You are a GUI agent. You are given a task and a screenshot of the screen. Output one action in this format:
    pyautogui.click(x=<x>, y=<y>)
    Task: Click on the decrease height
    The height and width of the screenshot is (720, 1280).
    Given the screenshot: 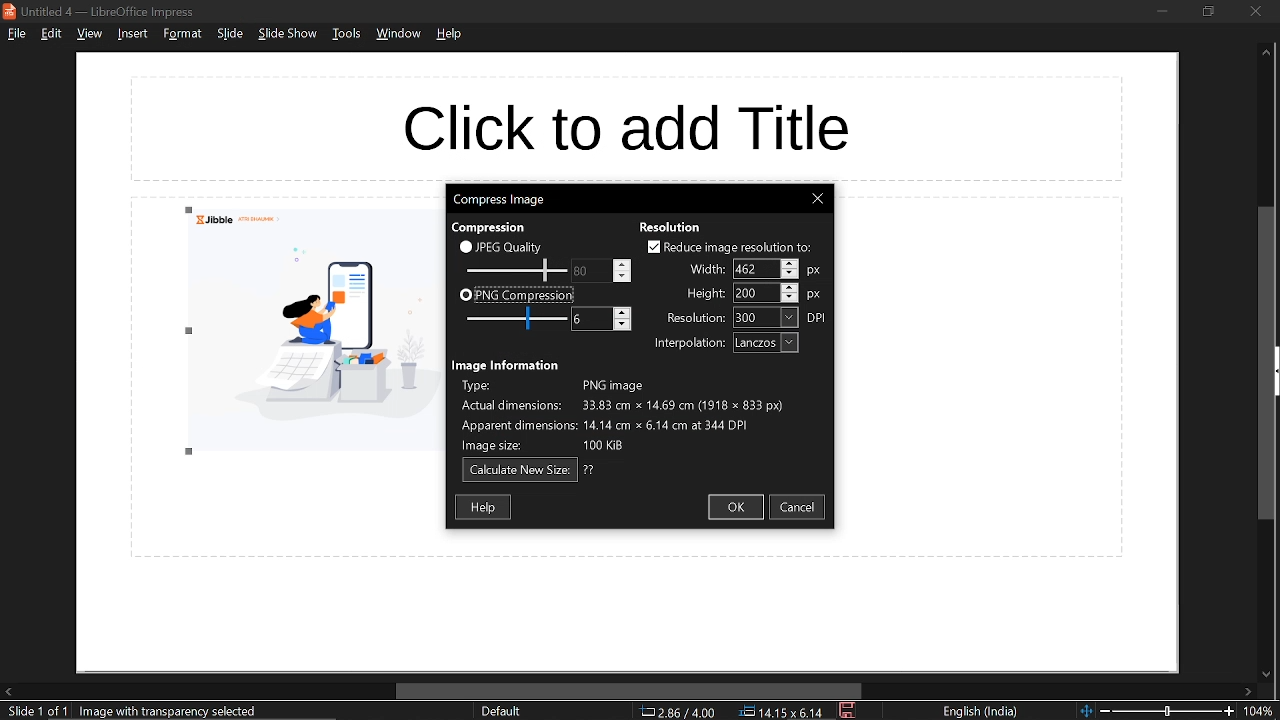 What is the action you would take?
    pyautogui.click(x=790, y=297)
    